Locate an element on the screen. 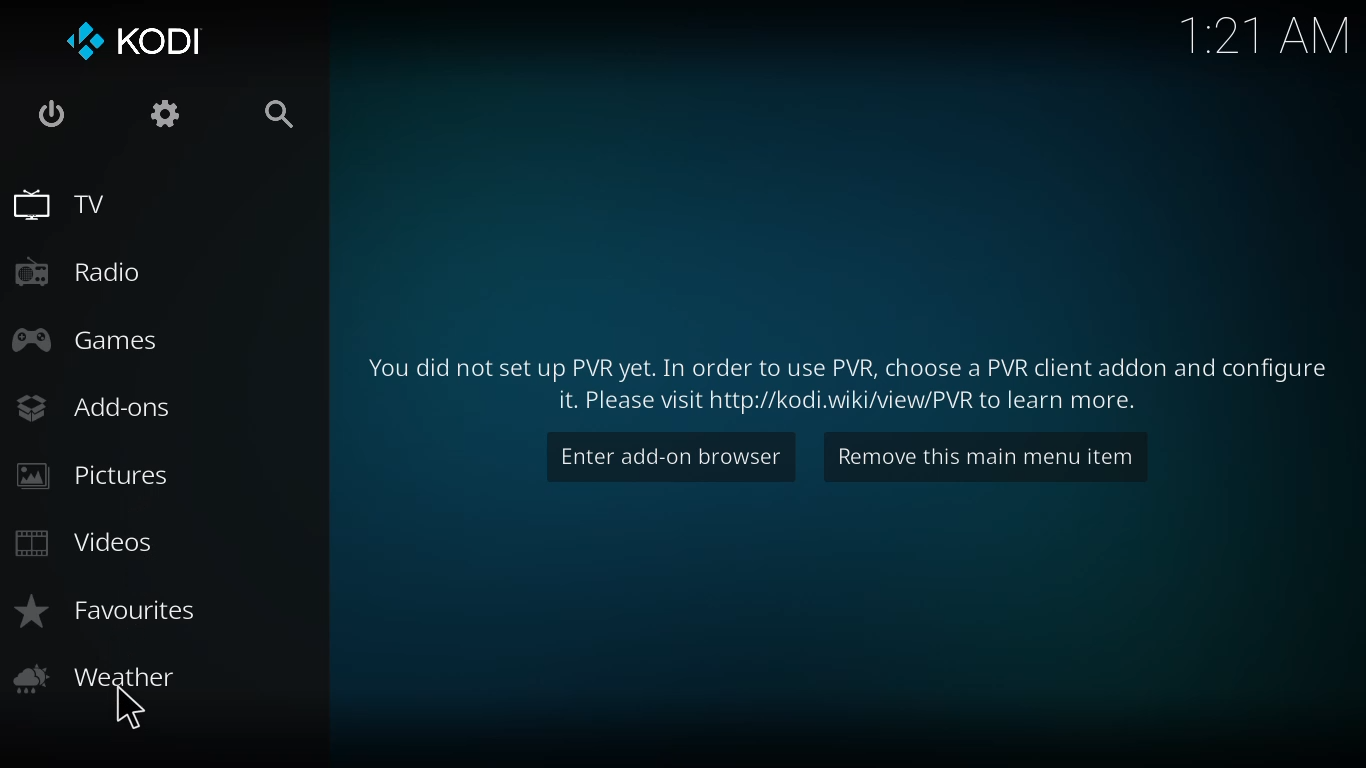  weather is located at coordinates (97, 677).